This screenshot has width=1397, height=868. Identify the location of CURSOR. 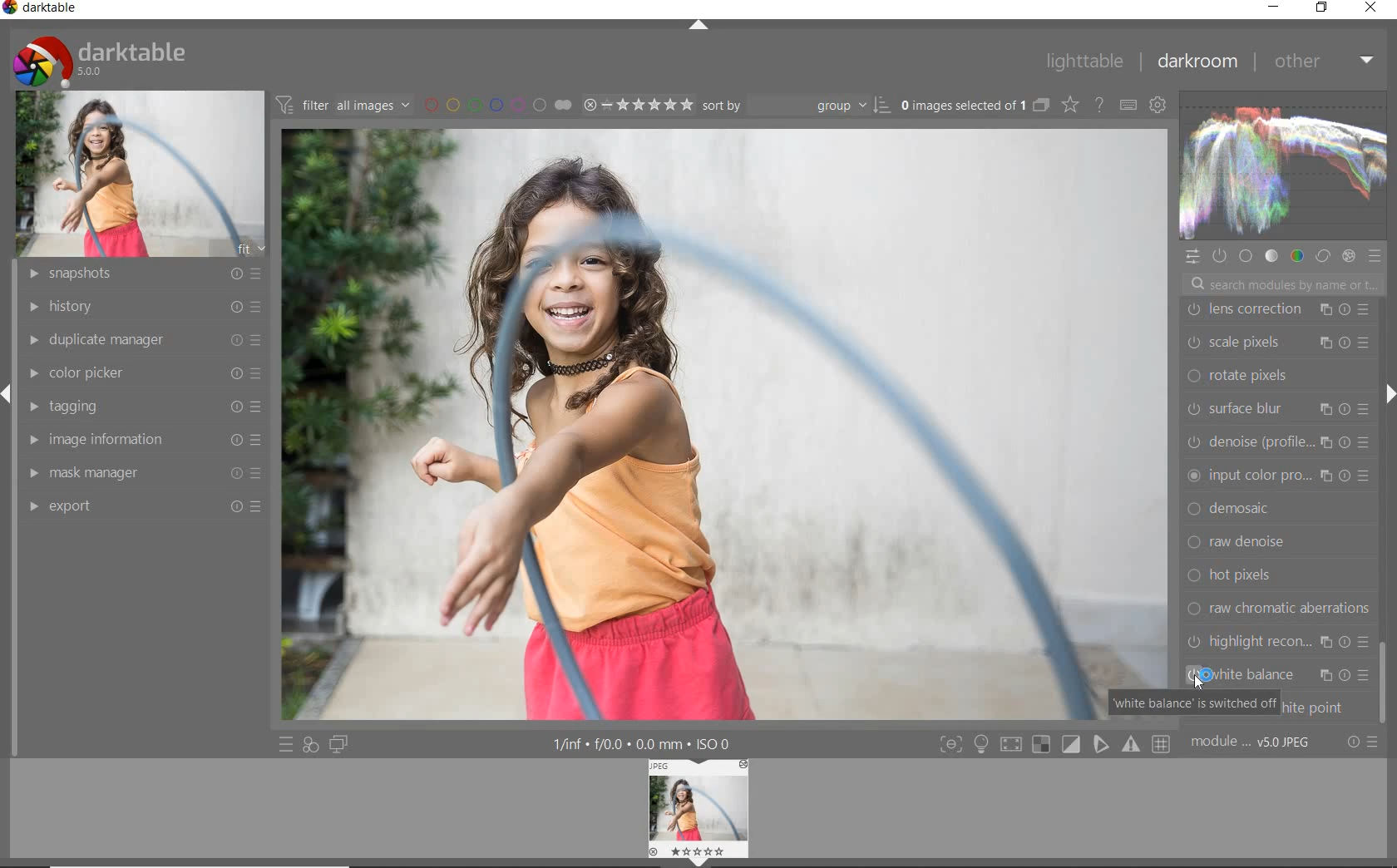
(1204, 675).